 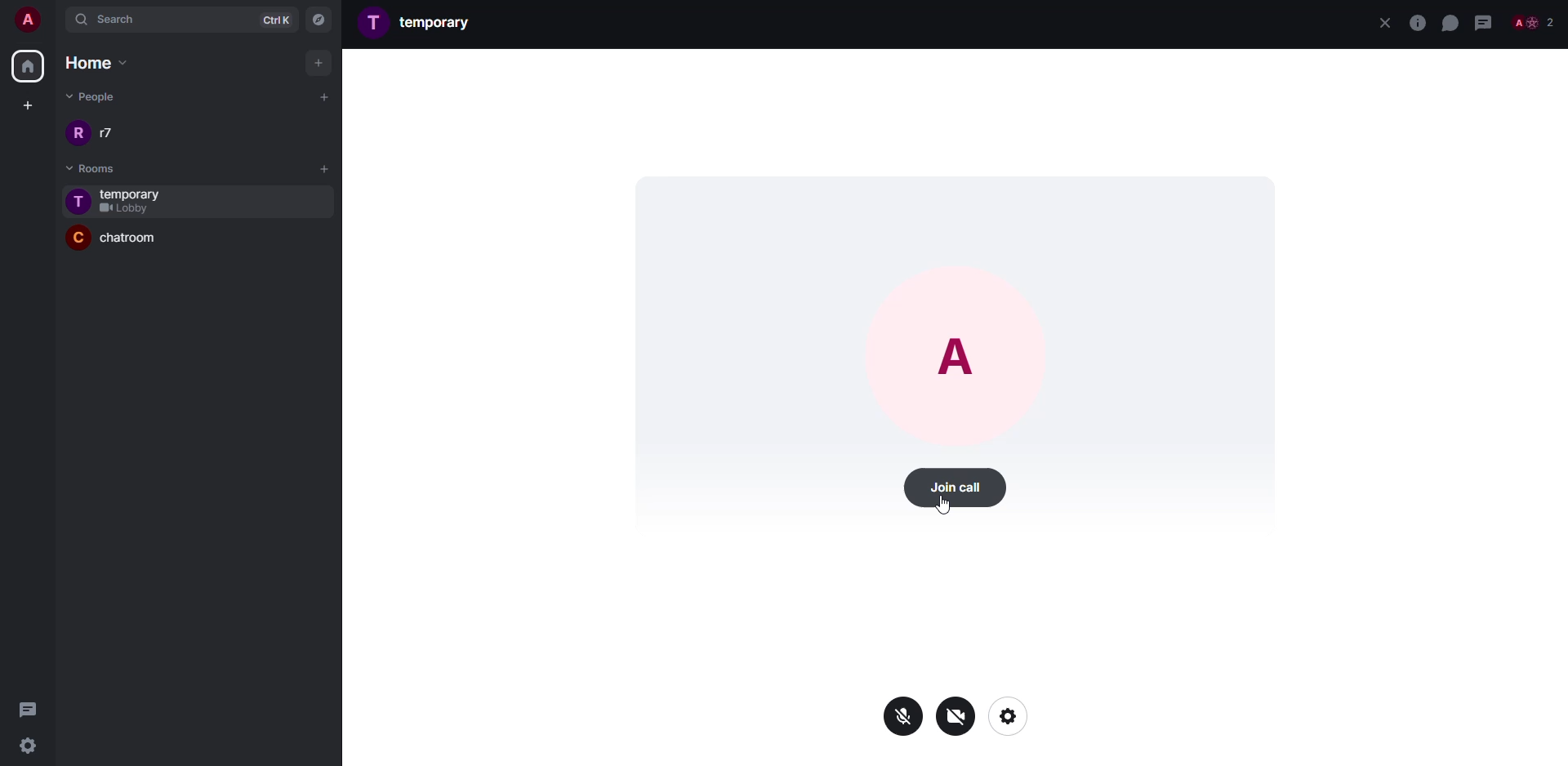 What do you see at coordinates (34, 745) in the screenshot?
I see `settings` at bounding box center [34, 745].